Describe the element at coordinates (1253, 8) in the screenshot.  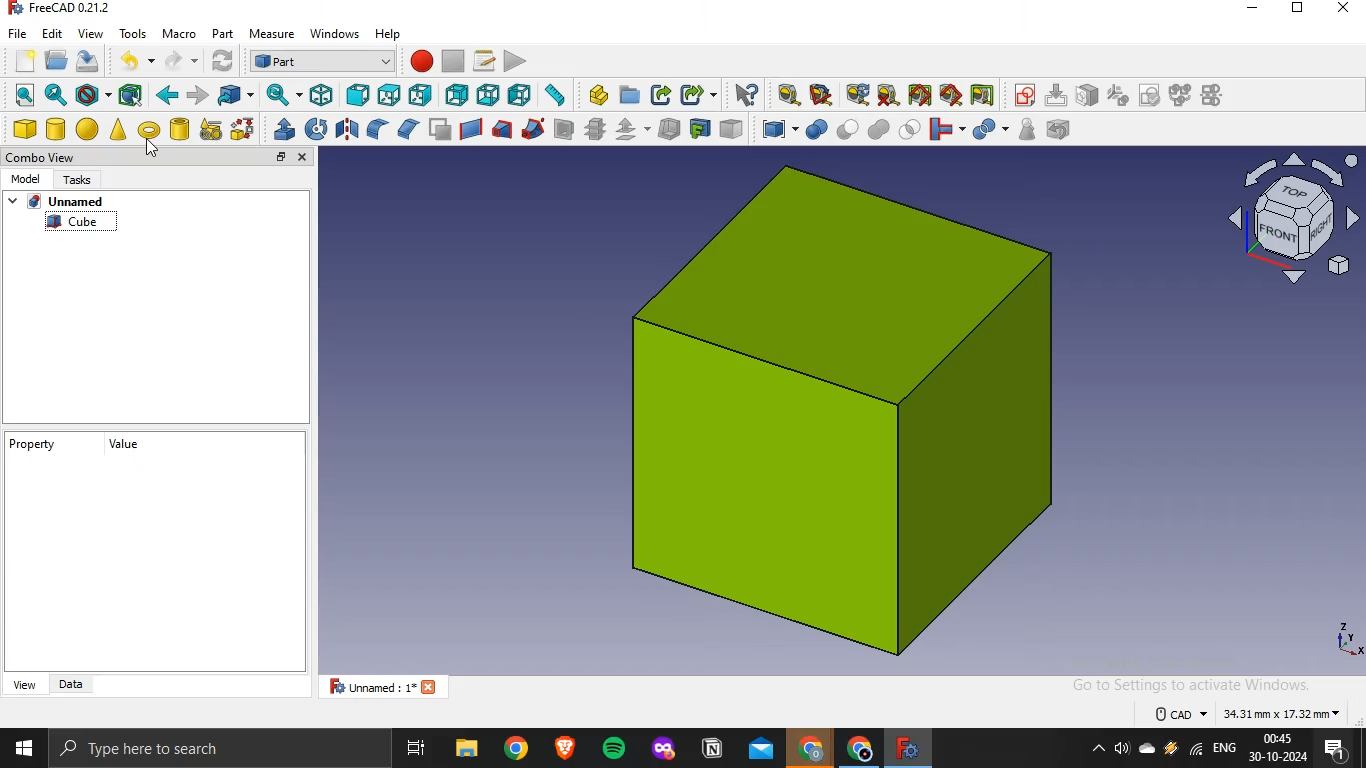
I see `minimize` at that location.